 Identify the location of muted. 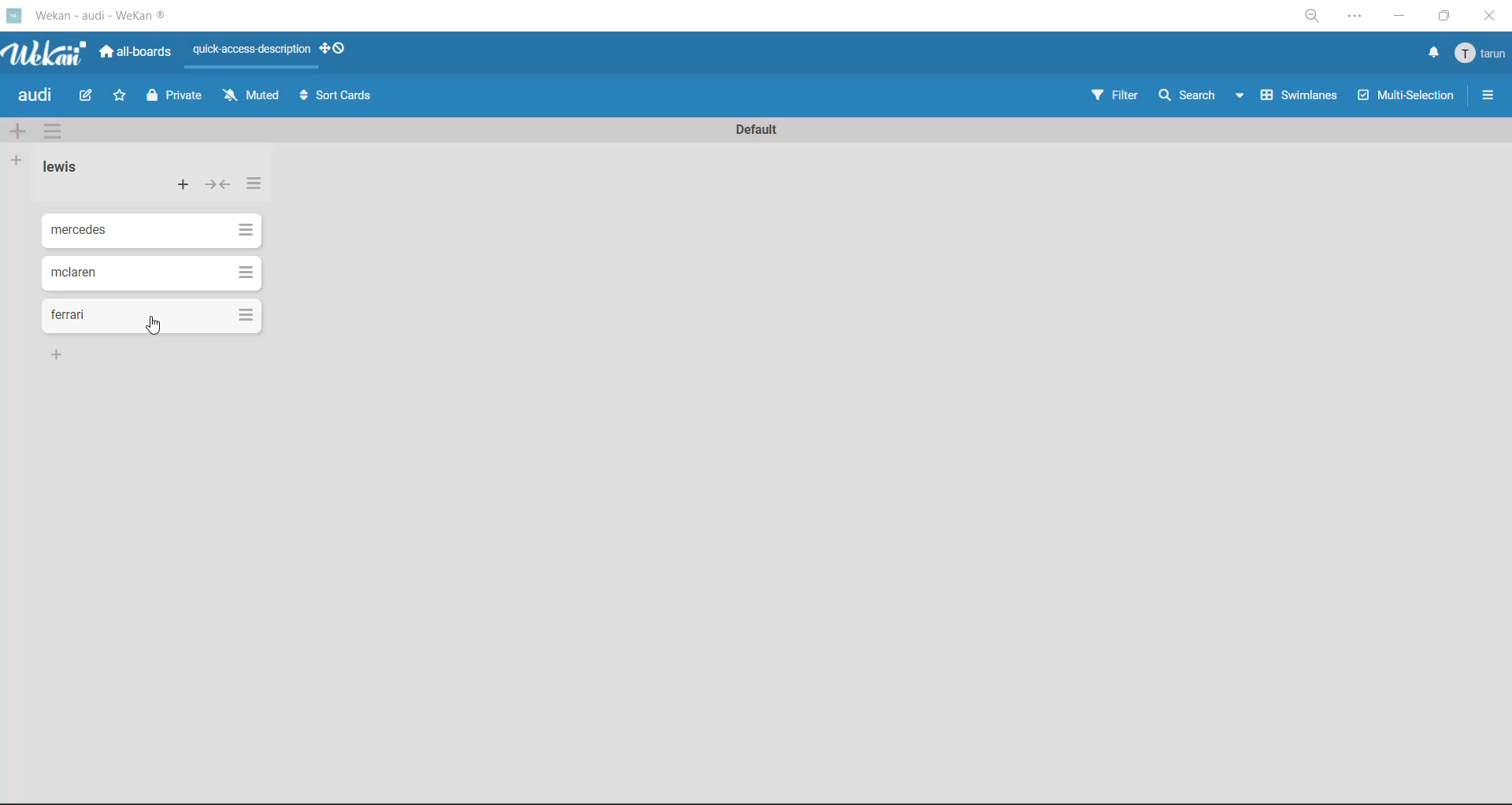
(248, 97).